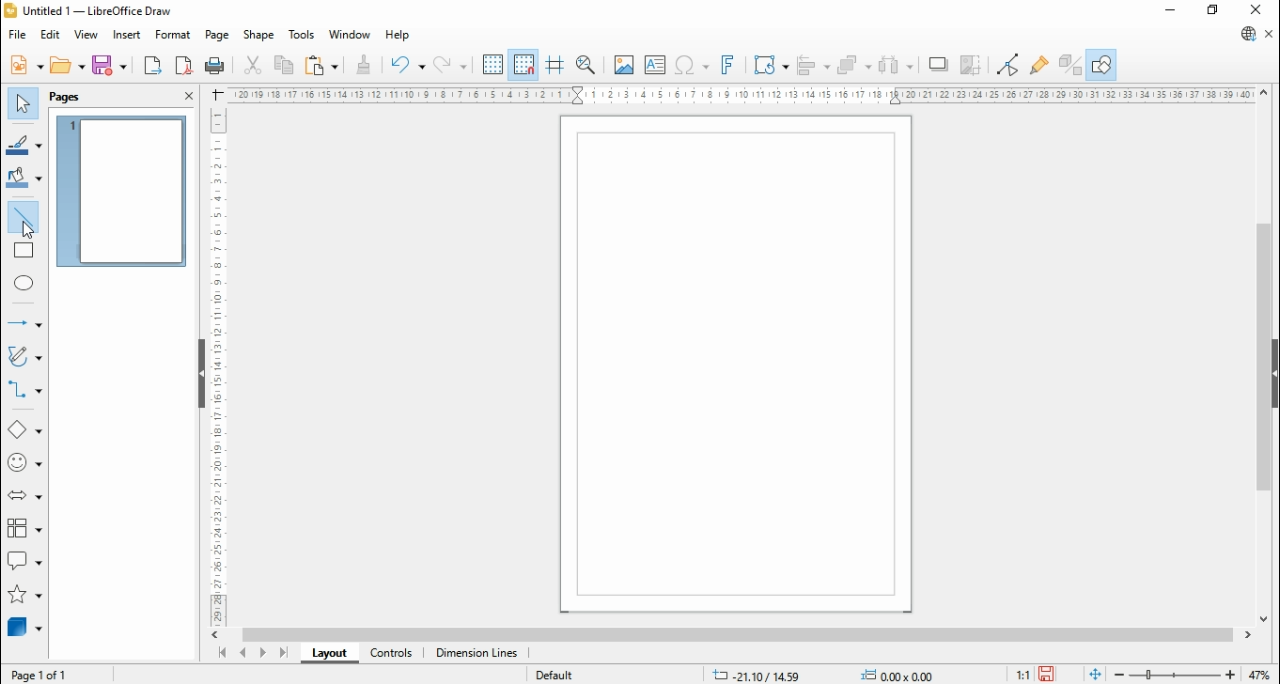 The height and width of the screenshot is (684, 1280). Describe the element at coordinates (1262, 674) in the screenshot. I see `zoom factor` at that location.